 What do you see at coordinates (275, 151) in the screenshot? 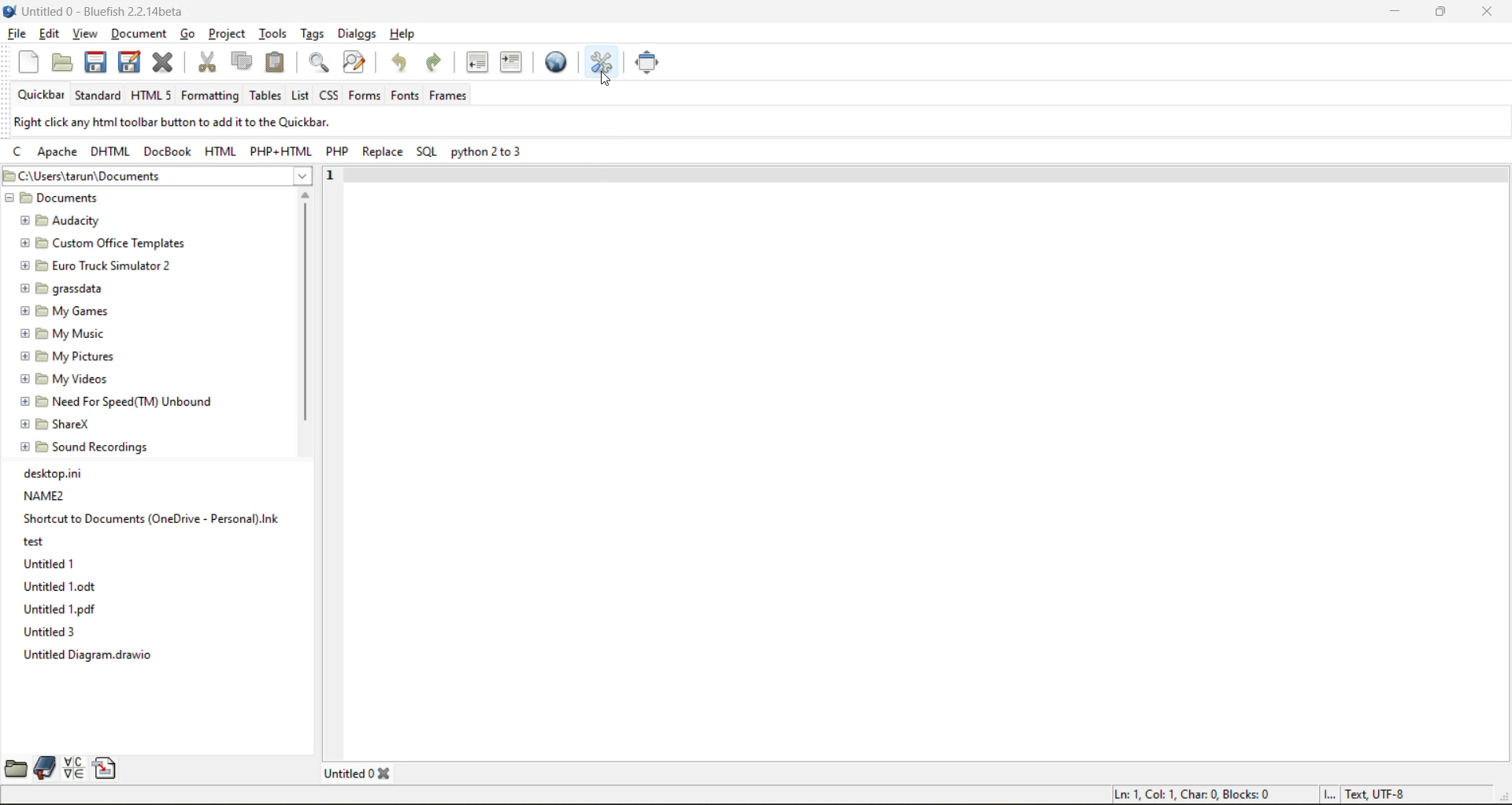
I see `php html` at bounding box center [275, 151].